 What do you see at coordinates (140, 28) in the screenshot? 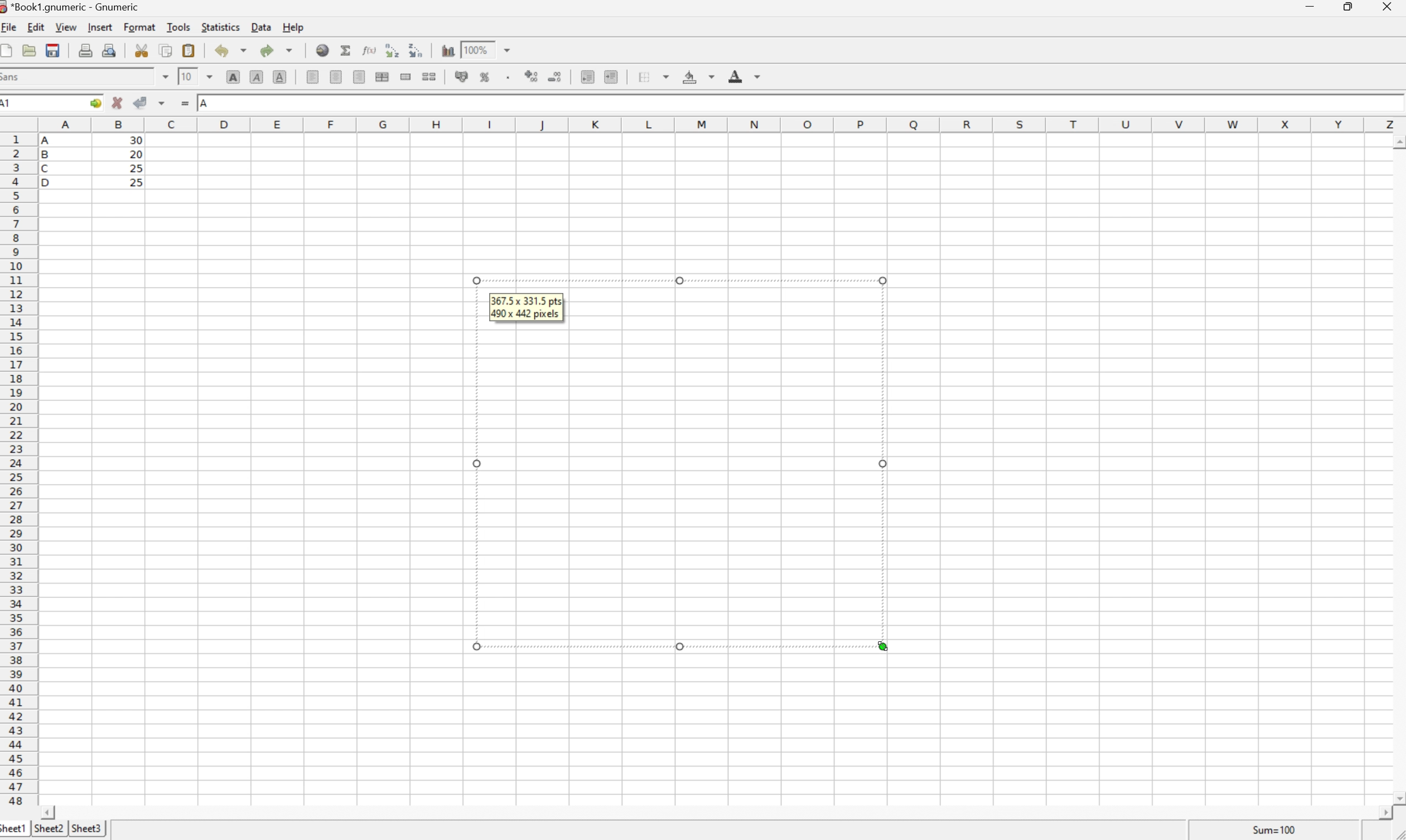
I see `Format` at bounding box center [140, 28].